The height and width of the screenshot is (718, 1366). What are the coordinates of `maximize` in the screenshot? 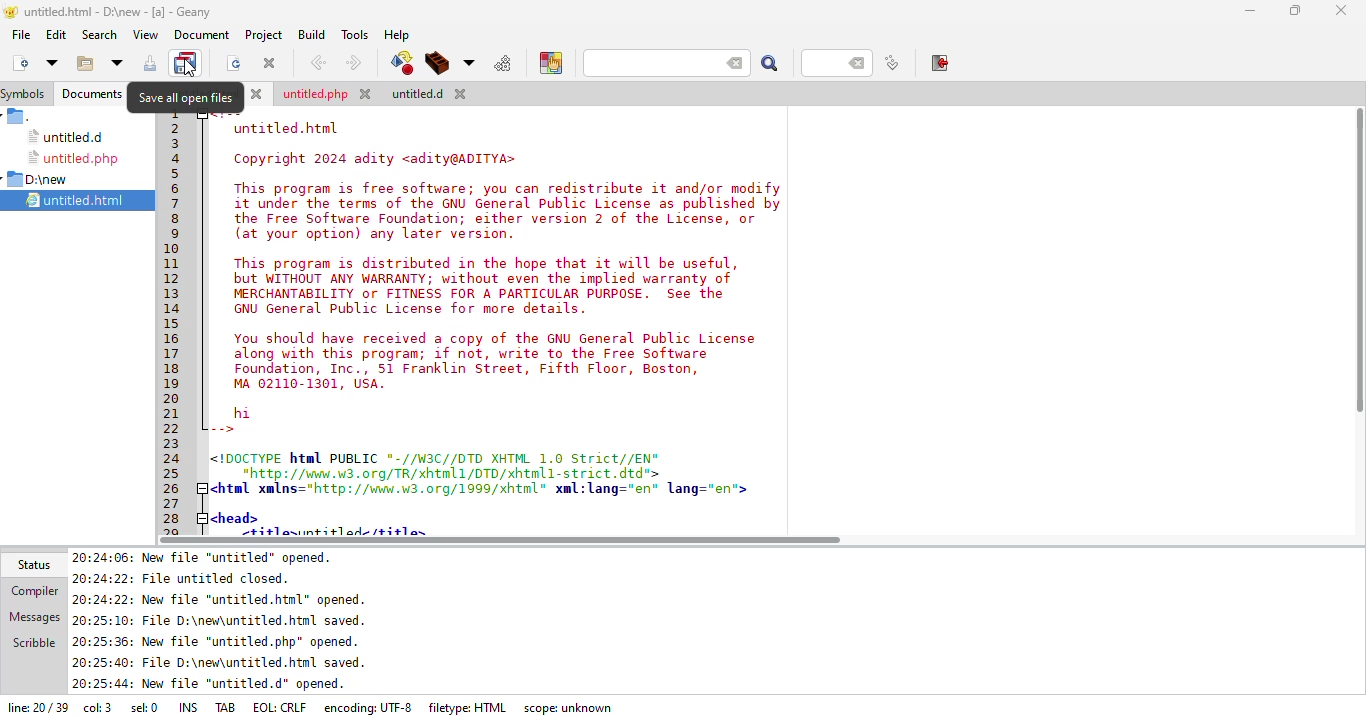 It's located at (1293, 10).